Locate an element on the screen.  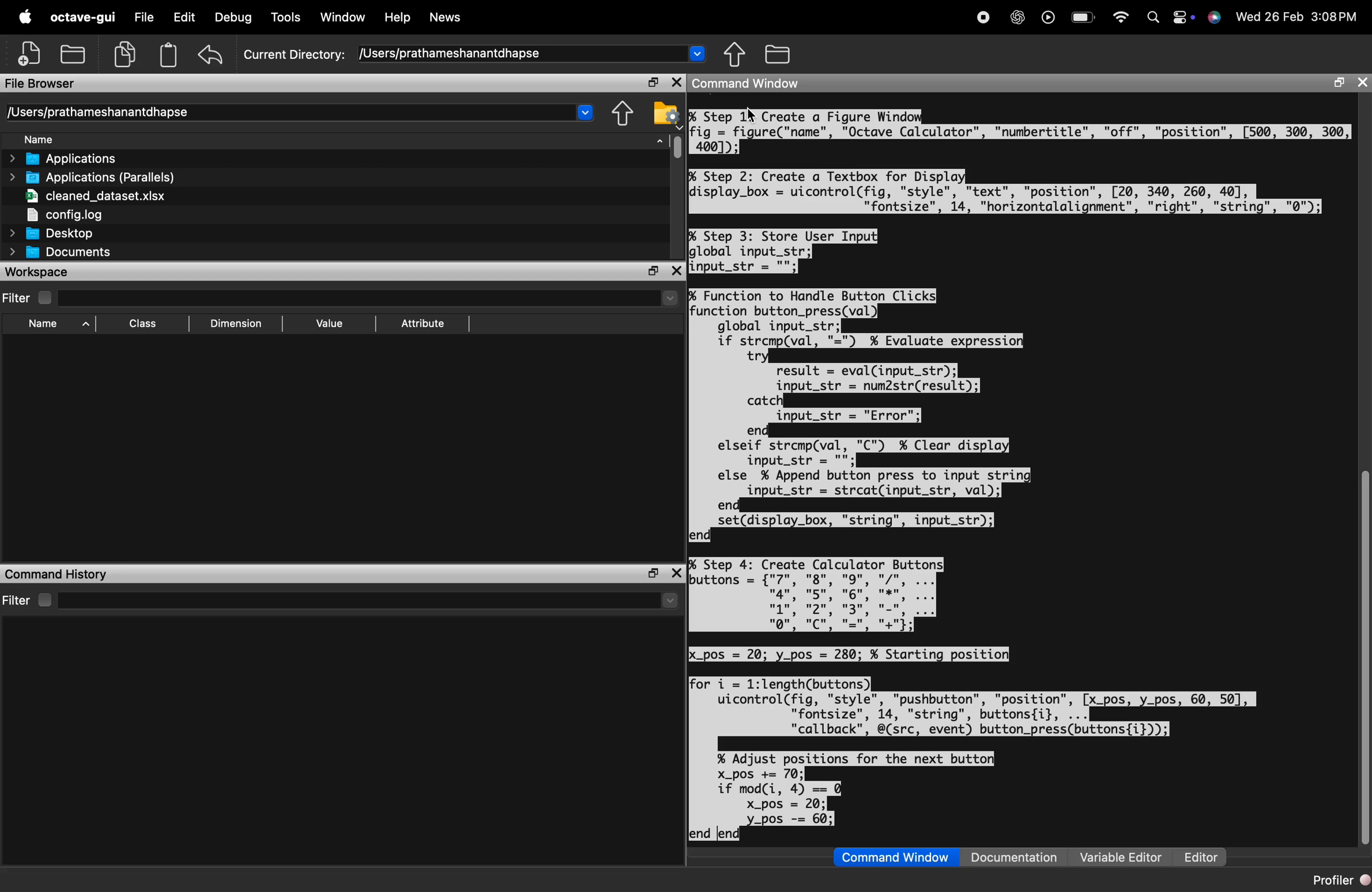
Name  is located at coordinates (55, 325).